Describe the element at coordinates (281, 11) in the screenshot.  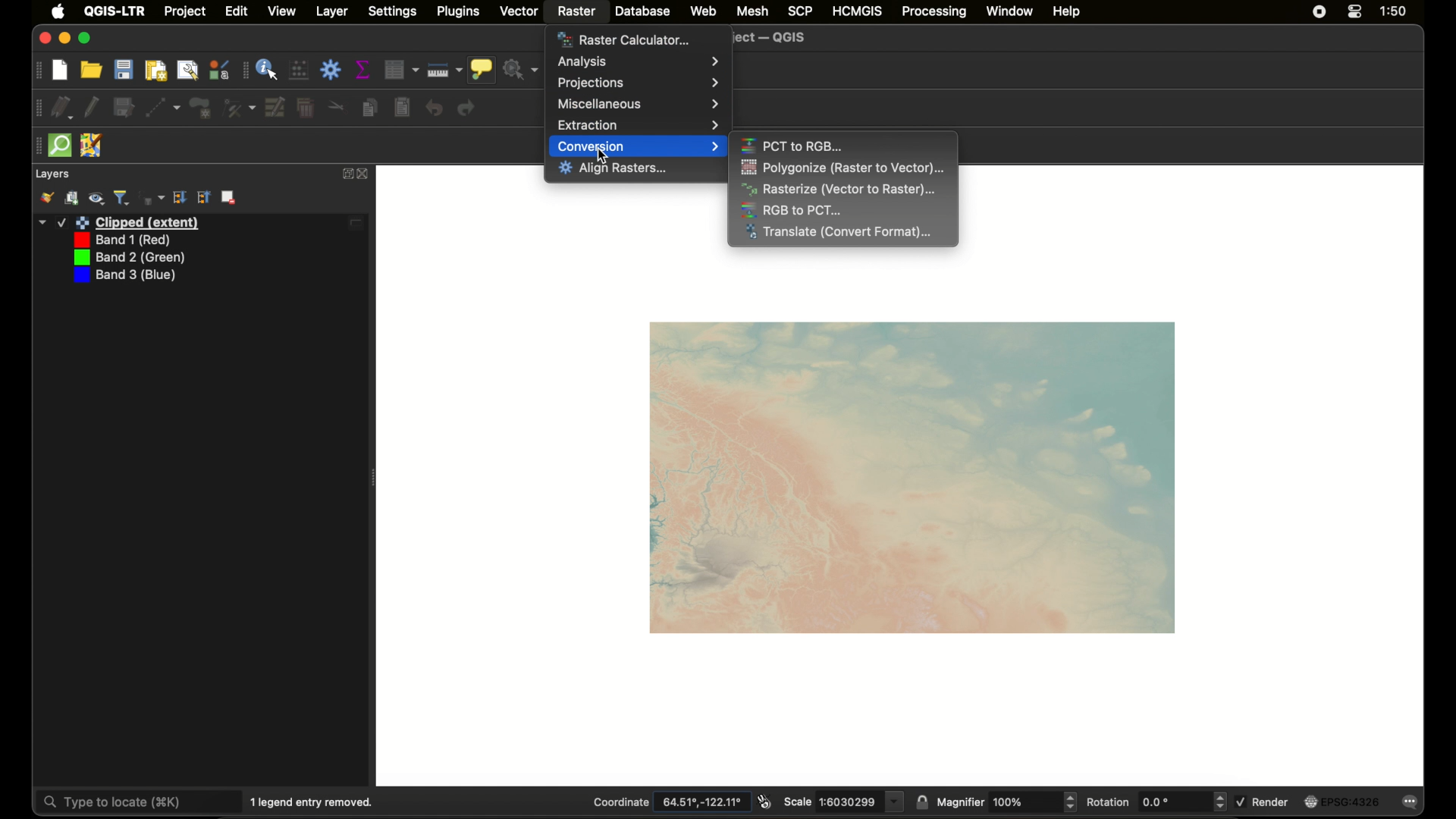
I see `view` at that location.